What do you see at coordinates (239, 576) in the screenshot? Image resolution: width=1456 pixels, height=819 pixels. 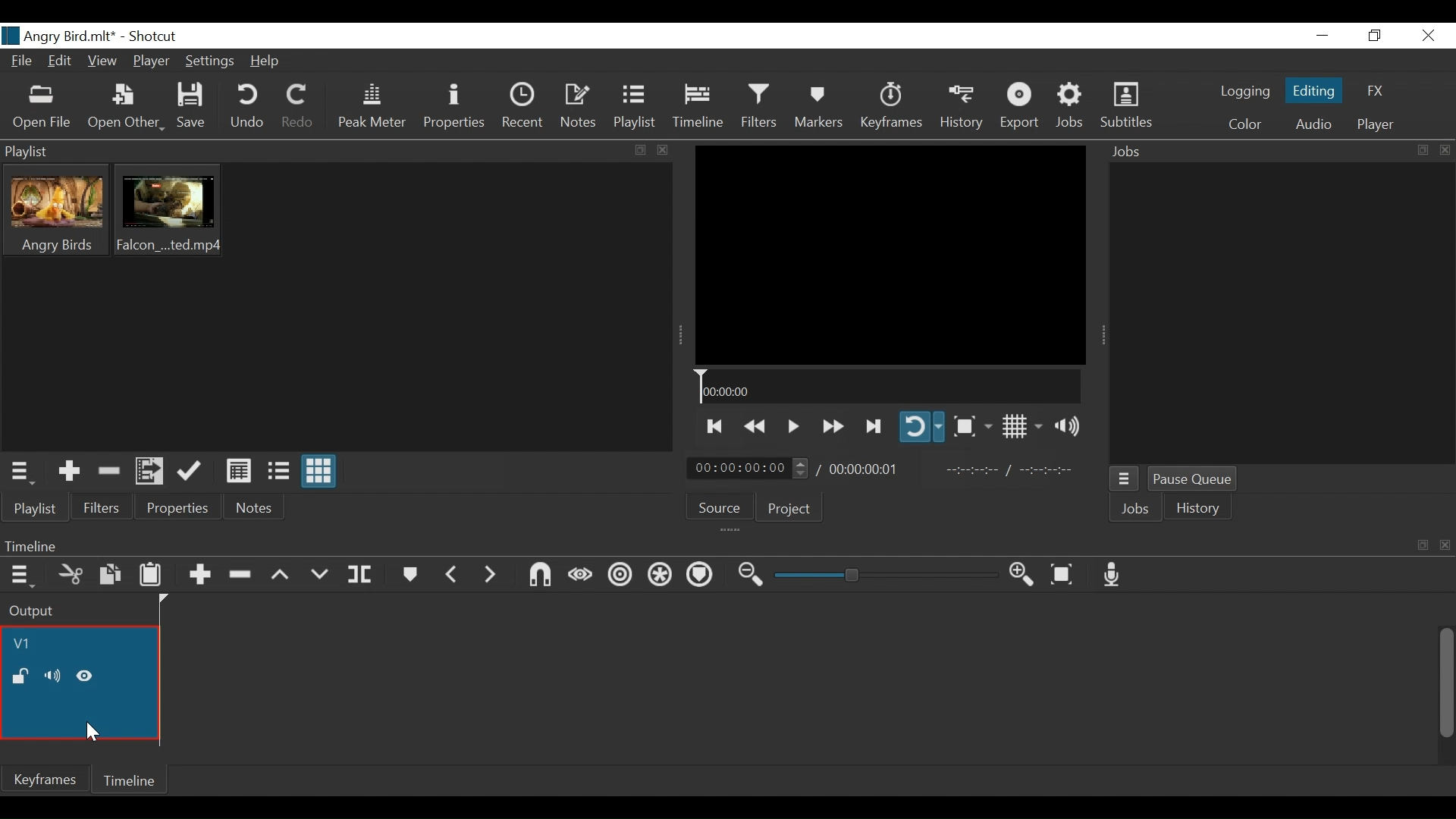 I see `Ripple Delete` at bounding box center [239, 576].